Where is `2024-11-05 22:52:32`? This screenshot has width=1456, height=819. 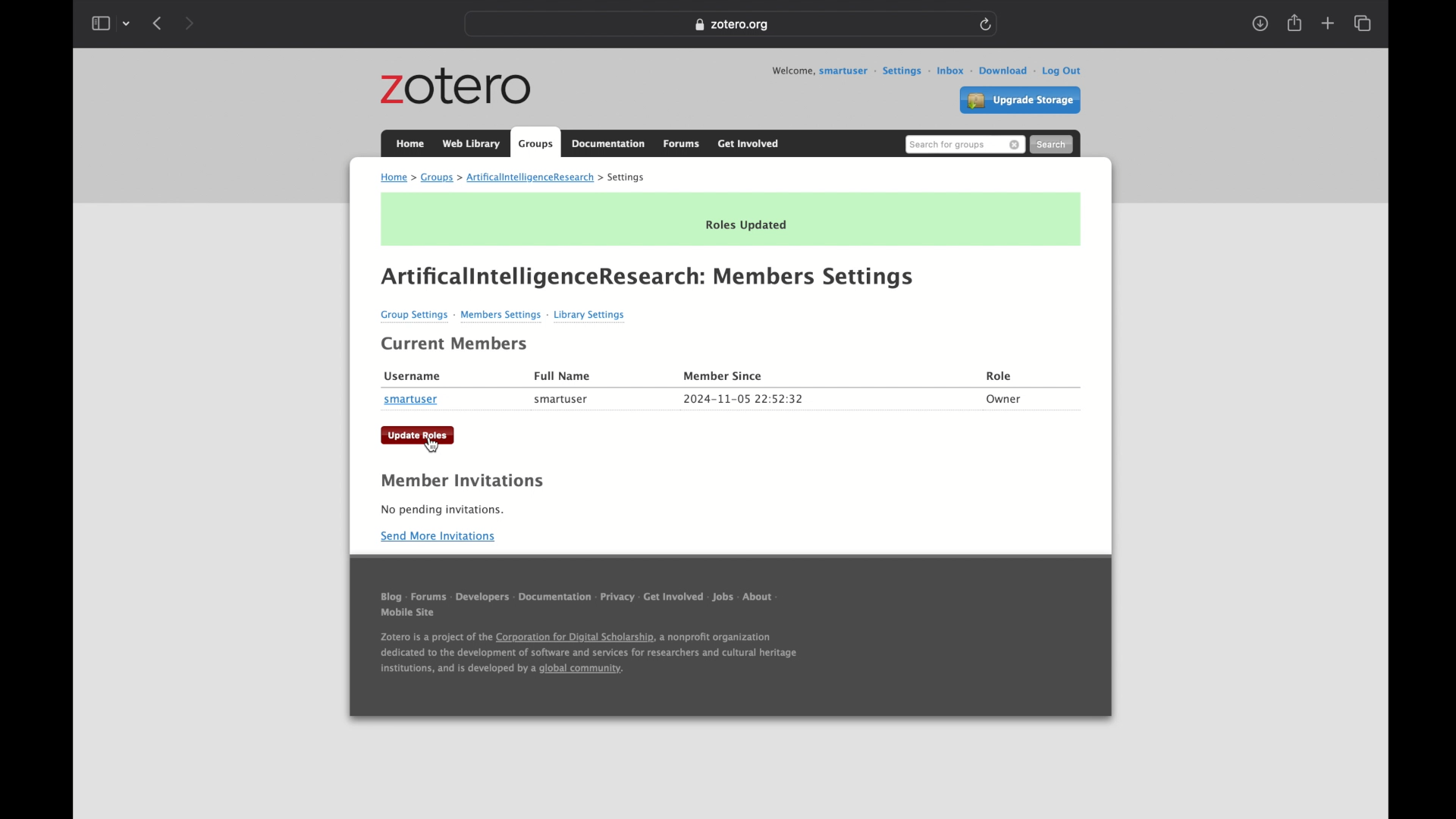 2024-11-05 22:52:32 is located at coordinates (738, 398).